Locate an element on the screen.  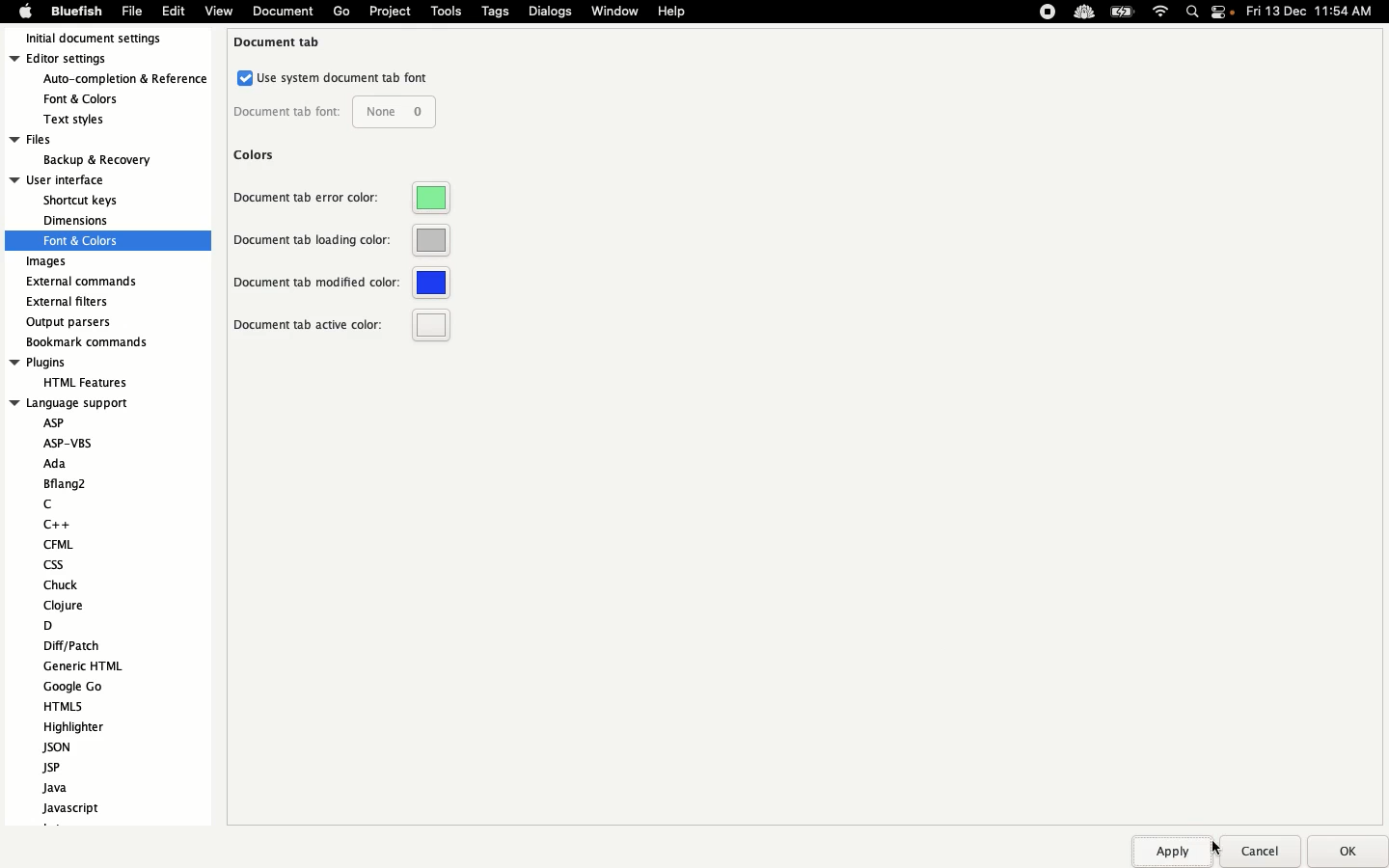
Cancel is located at coordinates (1259, 851).